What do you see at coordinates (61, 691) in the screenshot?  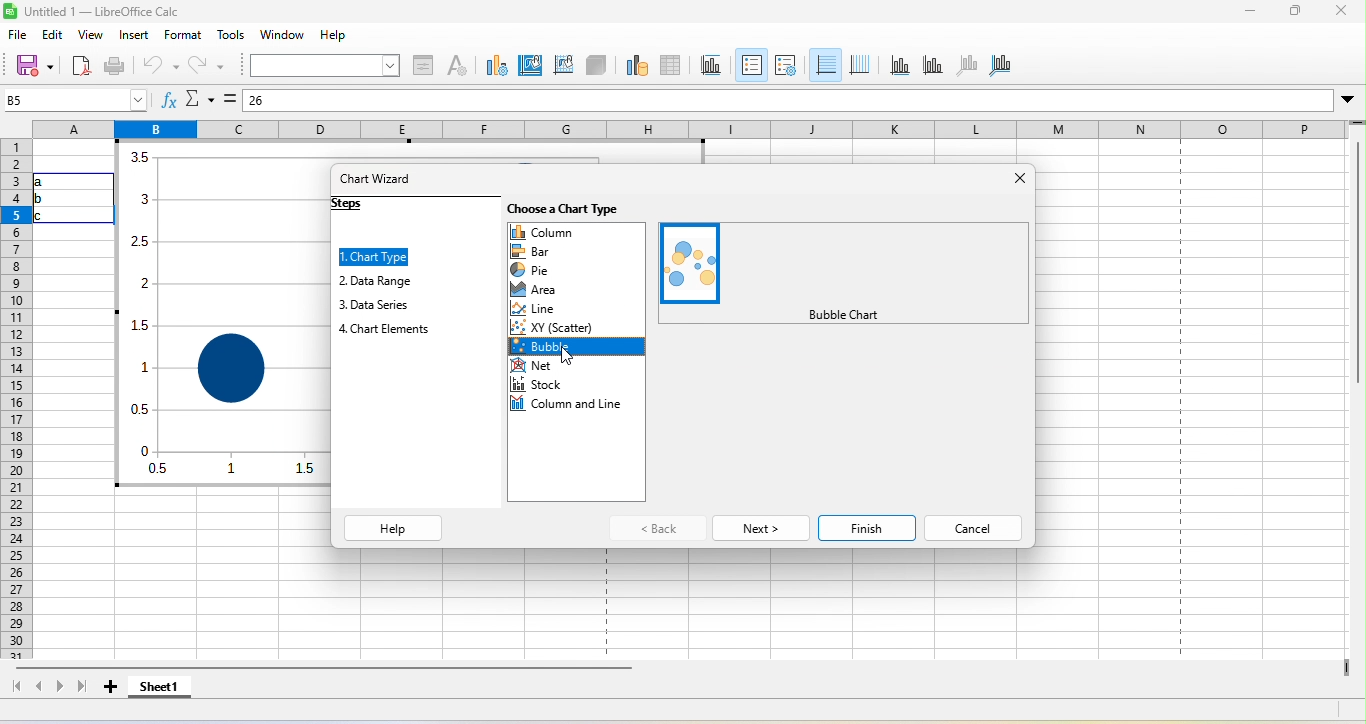 I see `next sheet` at bounding box center [61, 691].